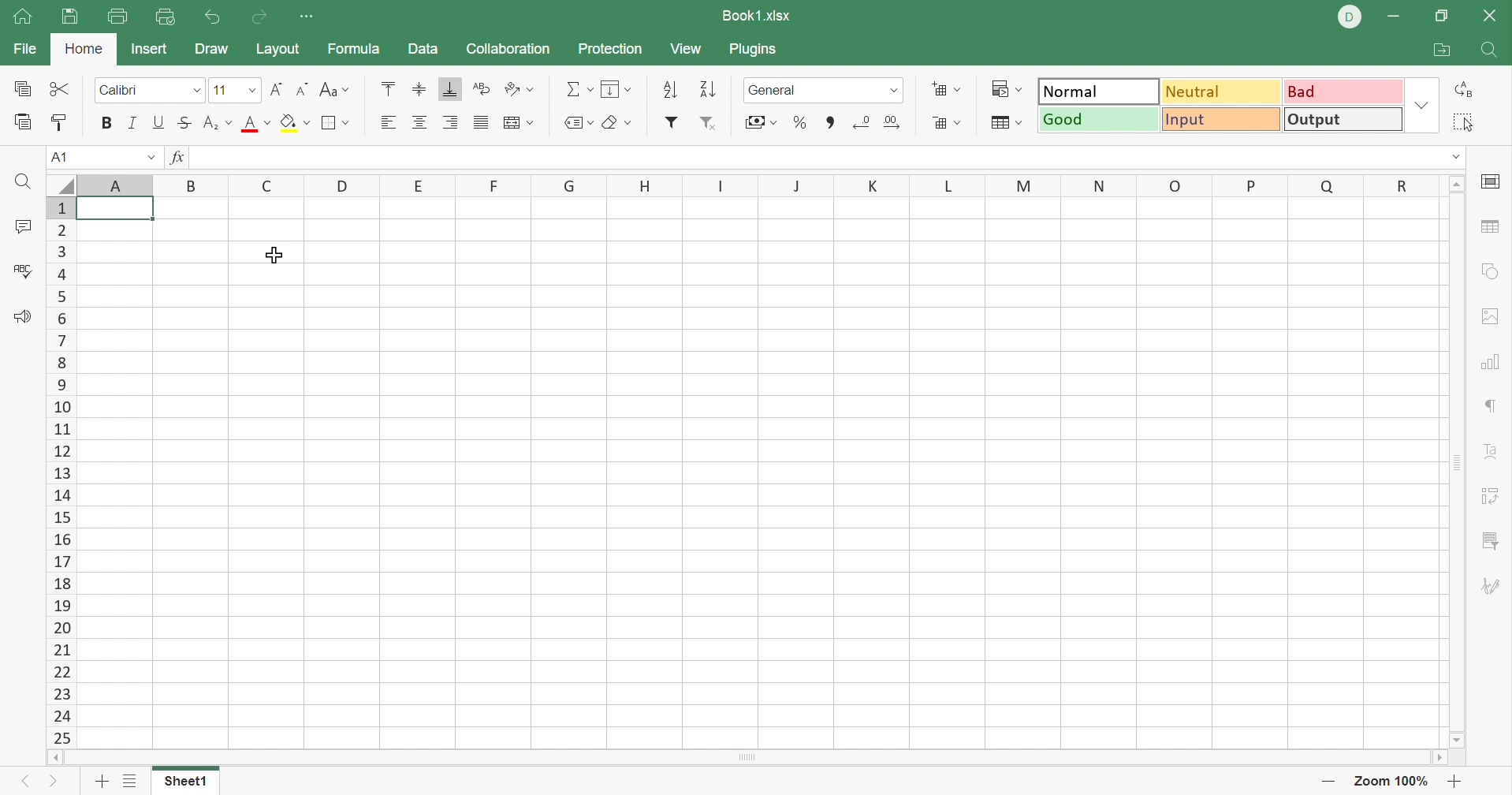  Describe the element at coordinates (1223, 94) in the screenshot. I see `Neutral` at that location.